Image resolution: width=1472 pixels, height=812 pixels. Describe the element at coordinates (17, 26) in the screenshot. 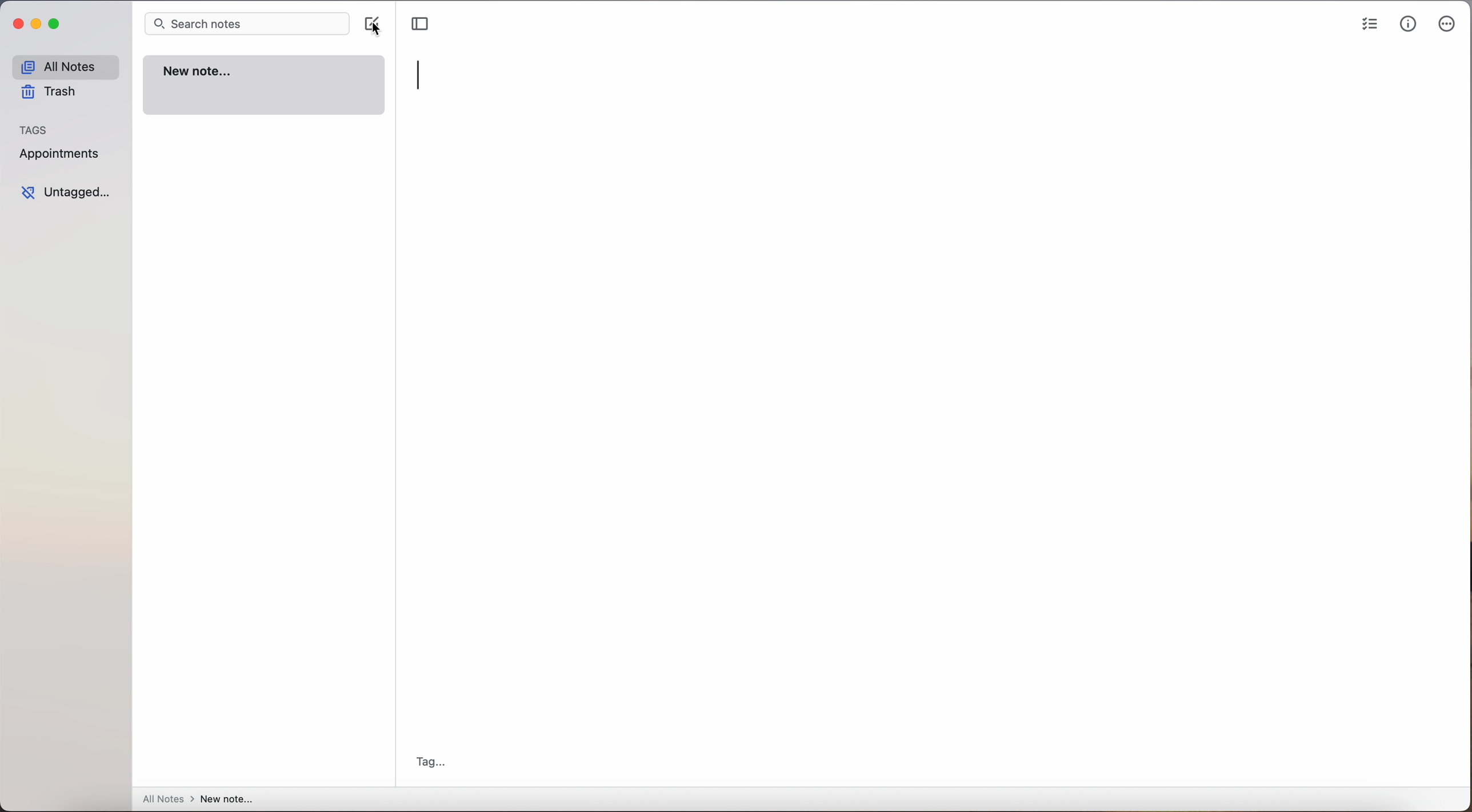

I see `close app` at that location.